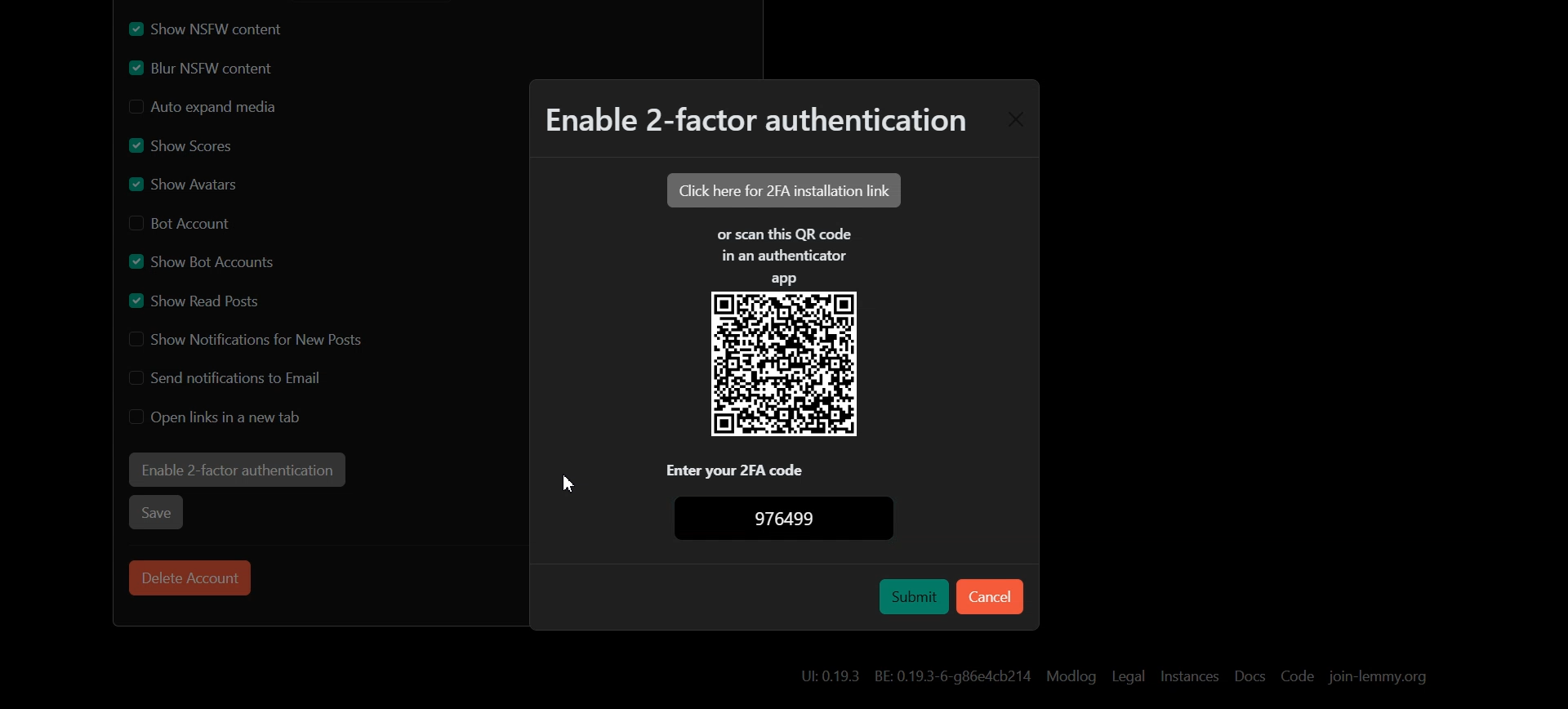 This screenshot has width=1568, height=709. I want to click on Hyperlink, so click(914, 674).